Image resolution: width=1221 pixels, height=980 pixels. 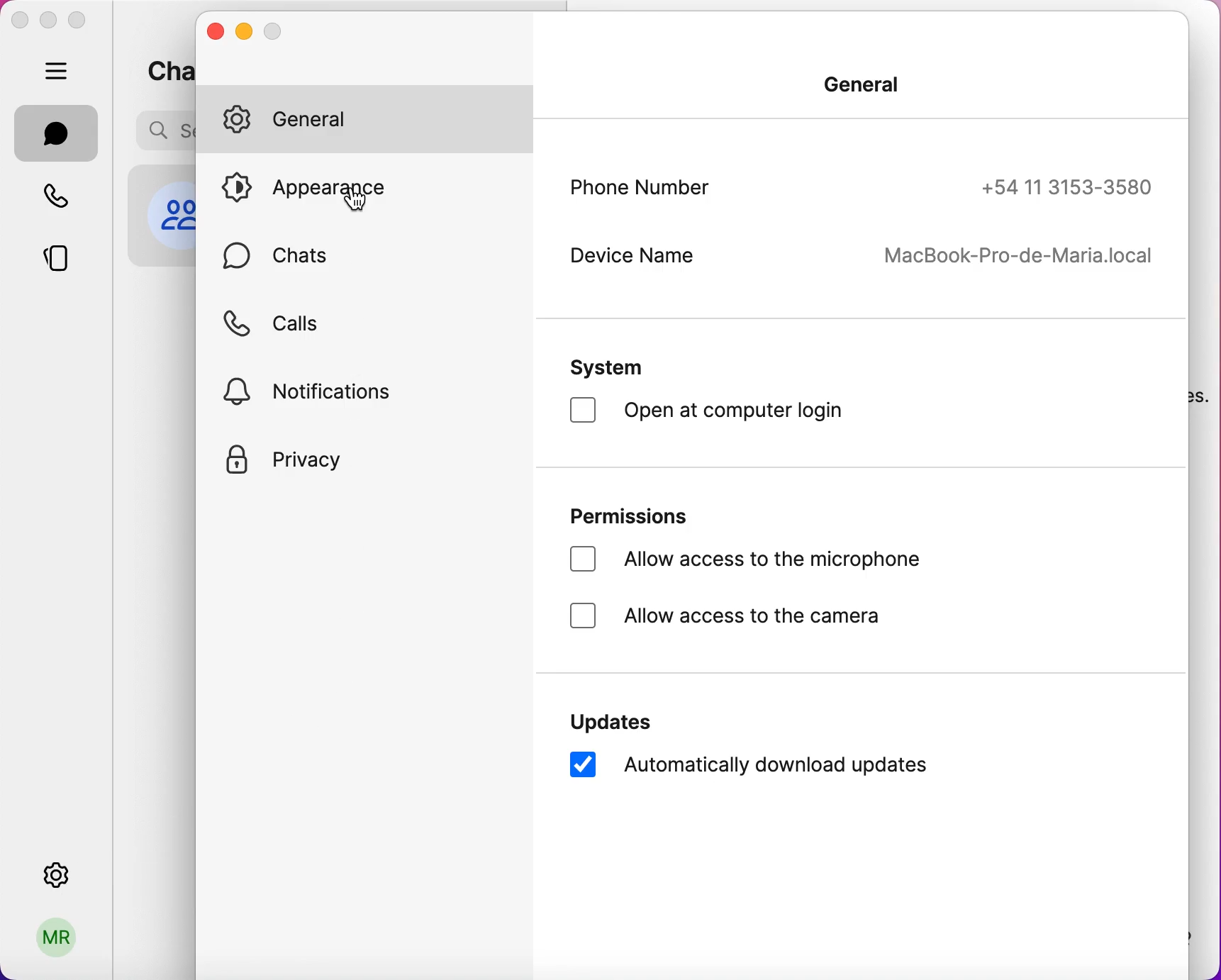 I want to click on hide bar, so click(x=52, y=72).